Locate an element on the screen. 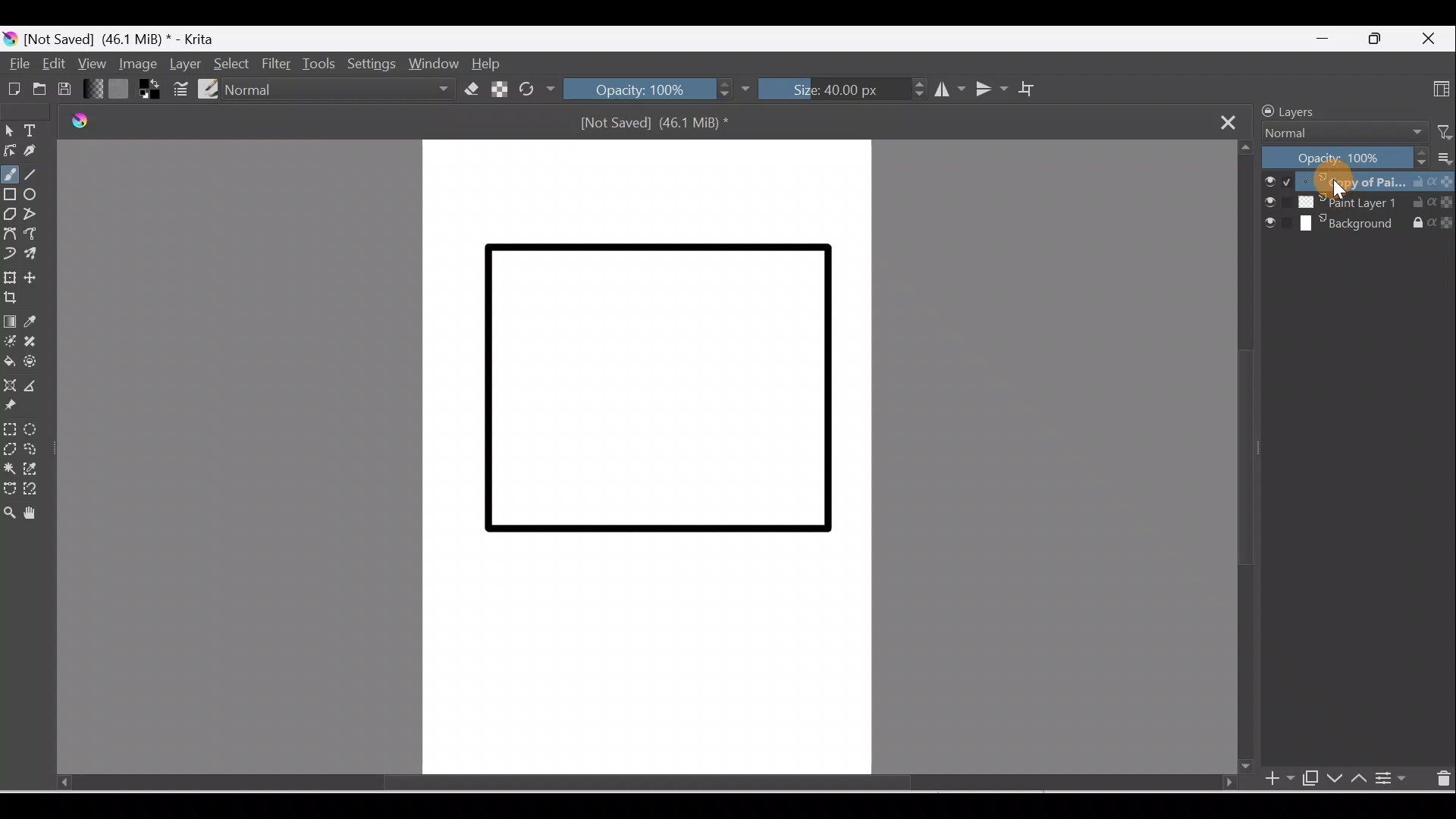 The height and width of the screenshot is (819, 1456). Polygon tool is located at coordinates (11, 214).